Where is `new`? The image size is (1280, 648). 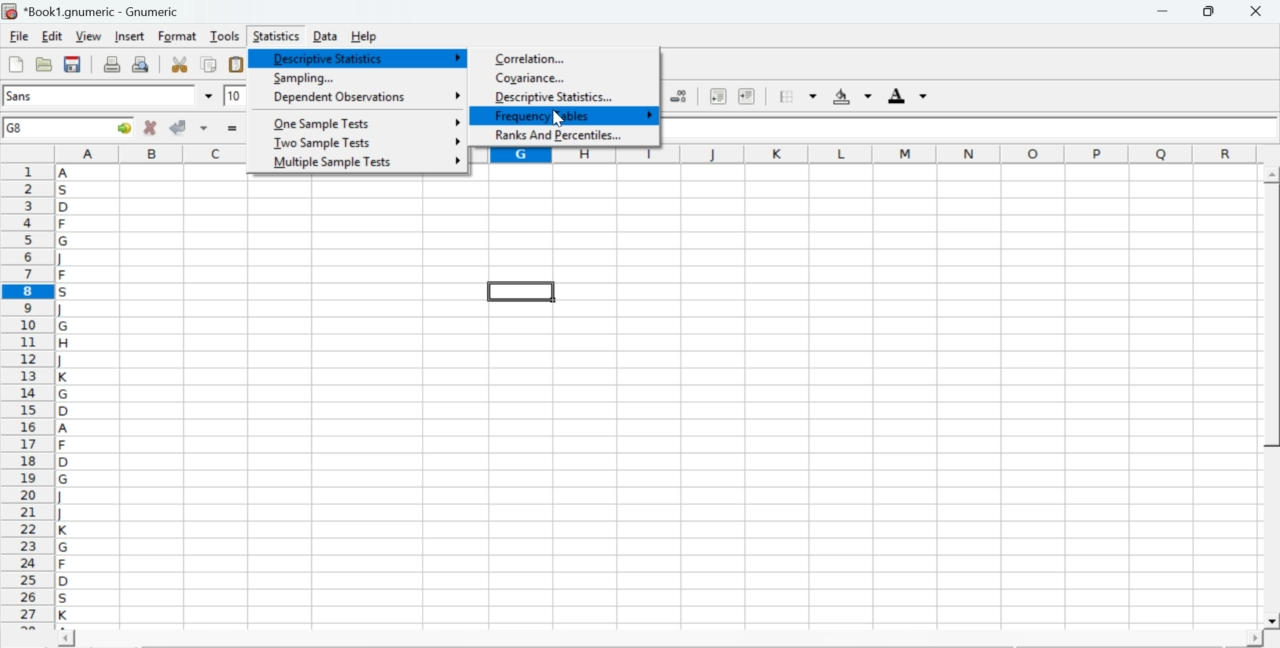
new is located at coordinates (15, 64).